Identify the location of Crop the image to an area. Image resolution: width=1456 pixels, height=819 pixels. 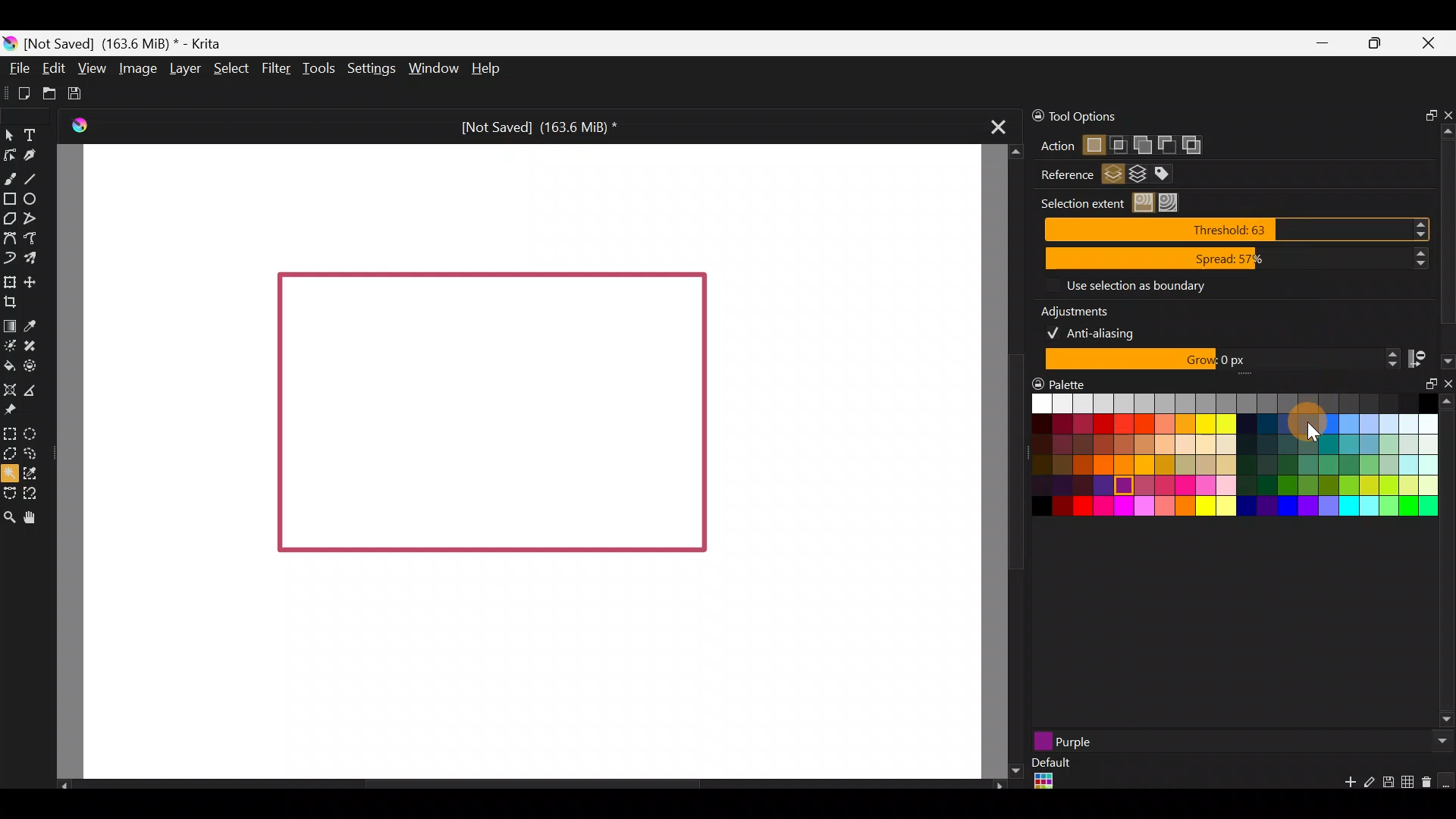
(17, 303).